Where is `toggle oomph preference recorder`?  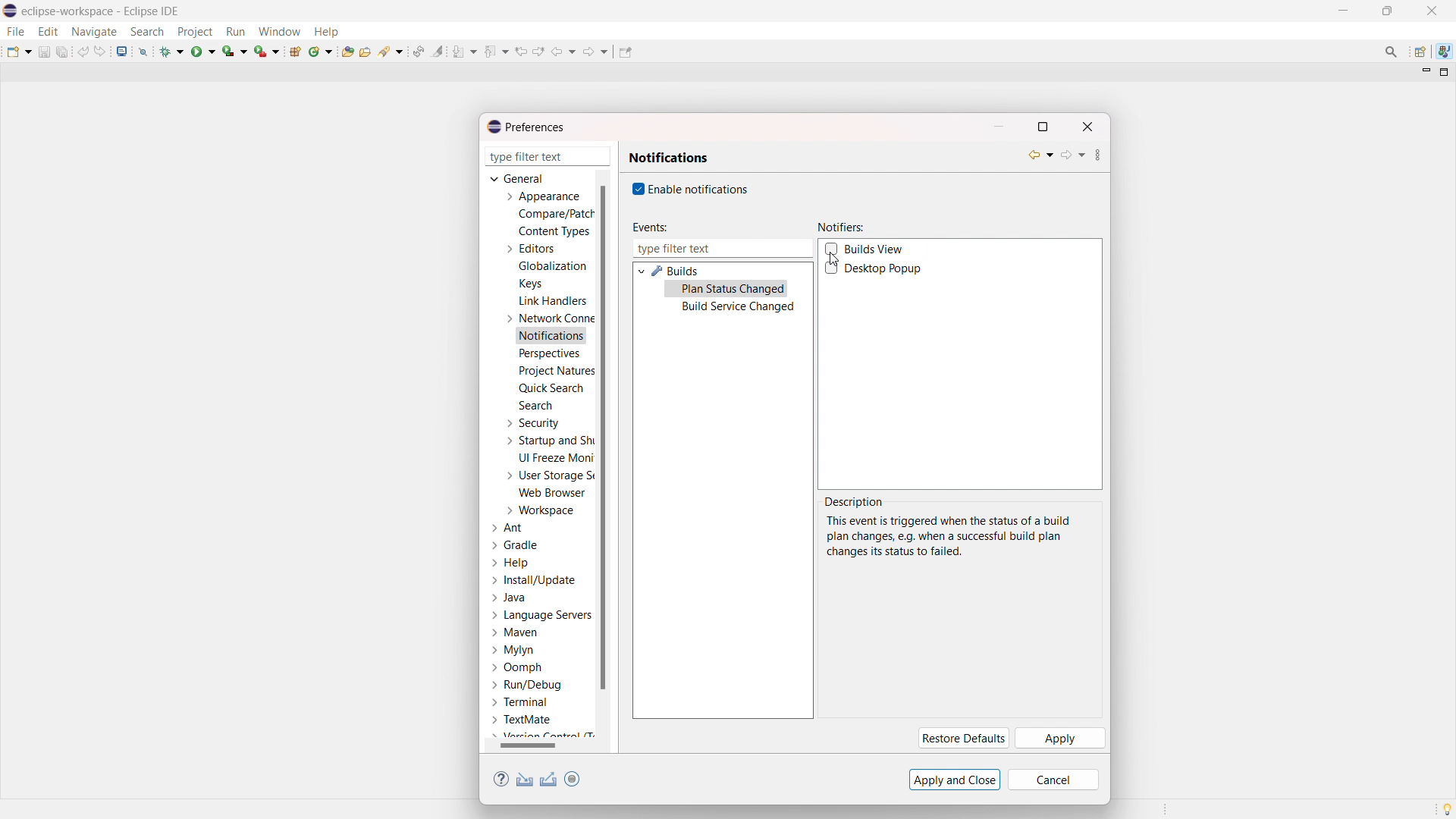 toggle oomph preference recorder is located at coordinates (572, 779).